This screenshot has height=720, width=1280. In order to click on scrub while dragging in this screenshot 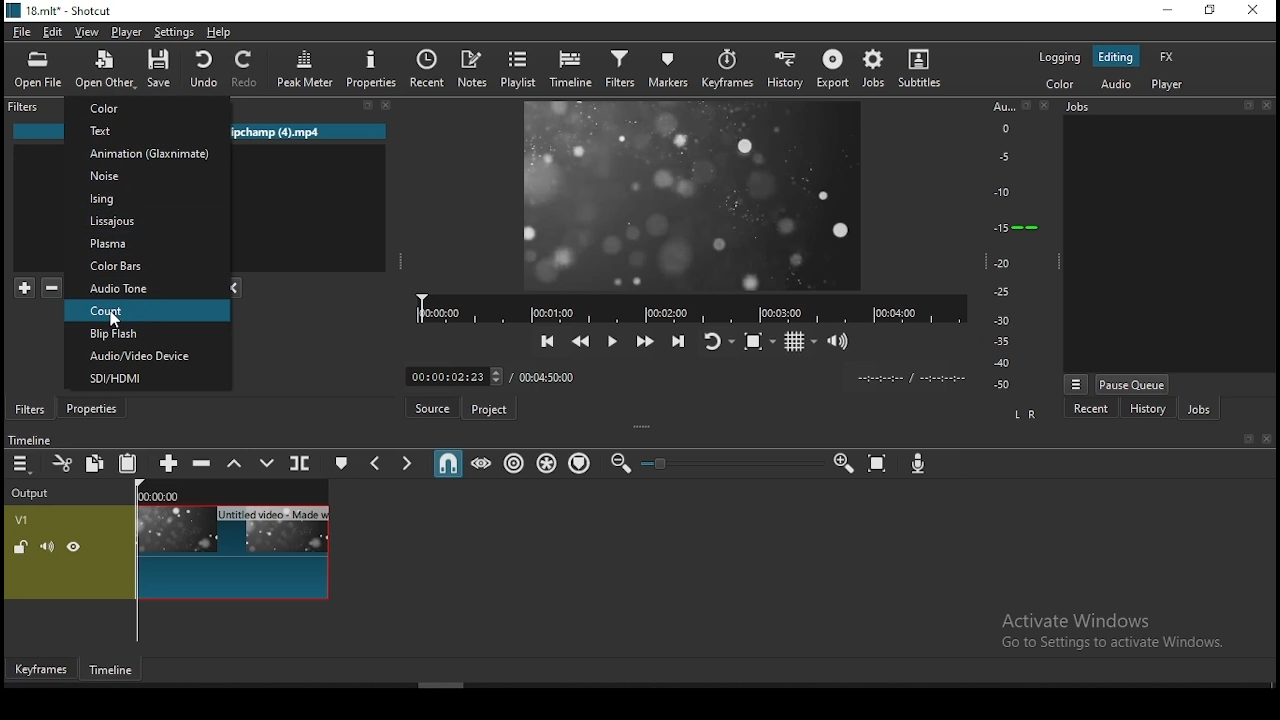, I will do `click(483, 464)`.